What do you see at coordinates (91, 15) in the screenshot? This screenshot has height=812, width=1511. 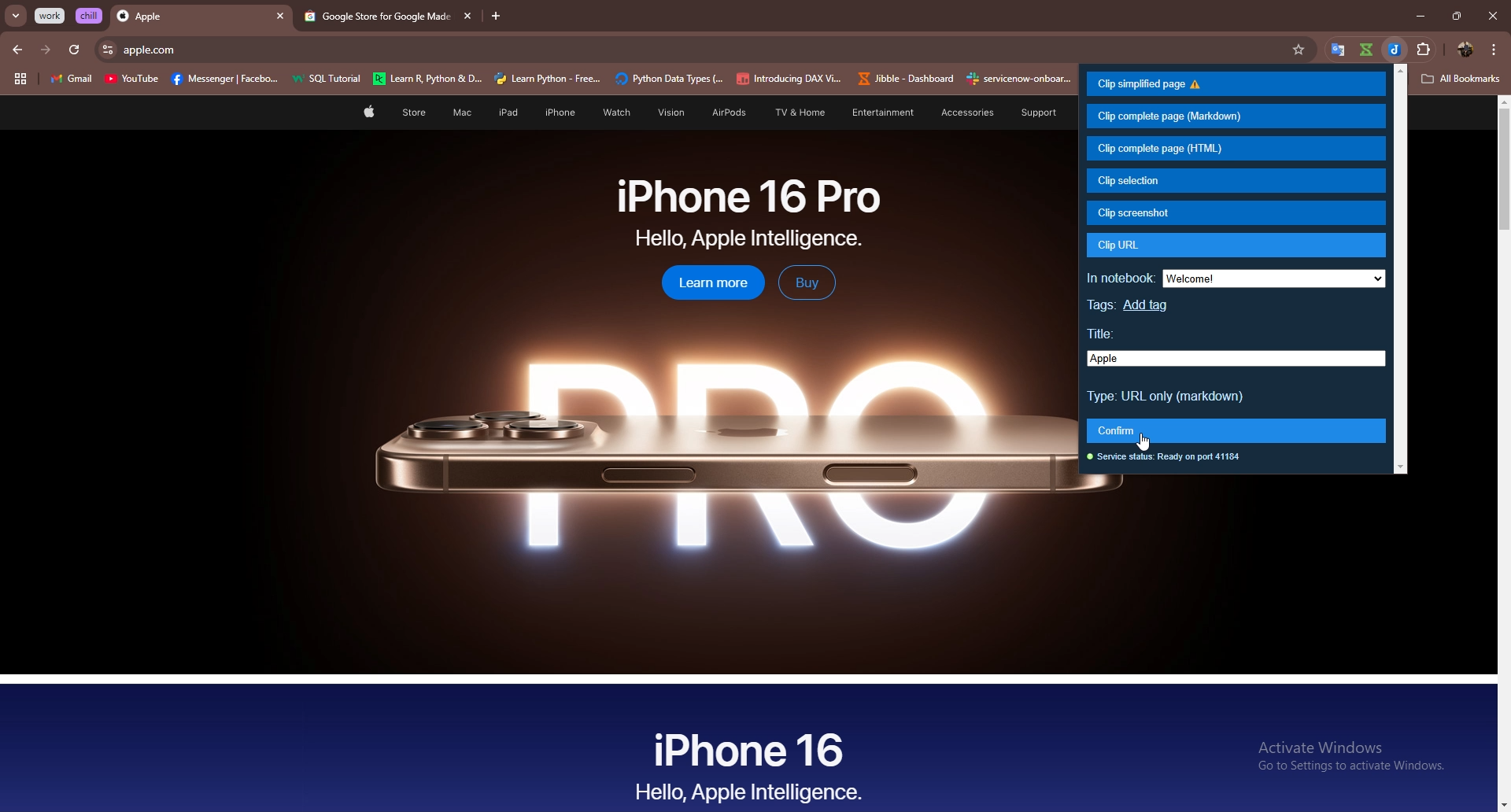 I see `chill` at bounding box center [91, 15].